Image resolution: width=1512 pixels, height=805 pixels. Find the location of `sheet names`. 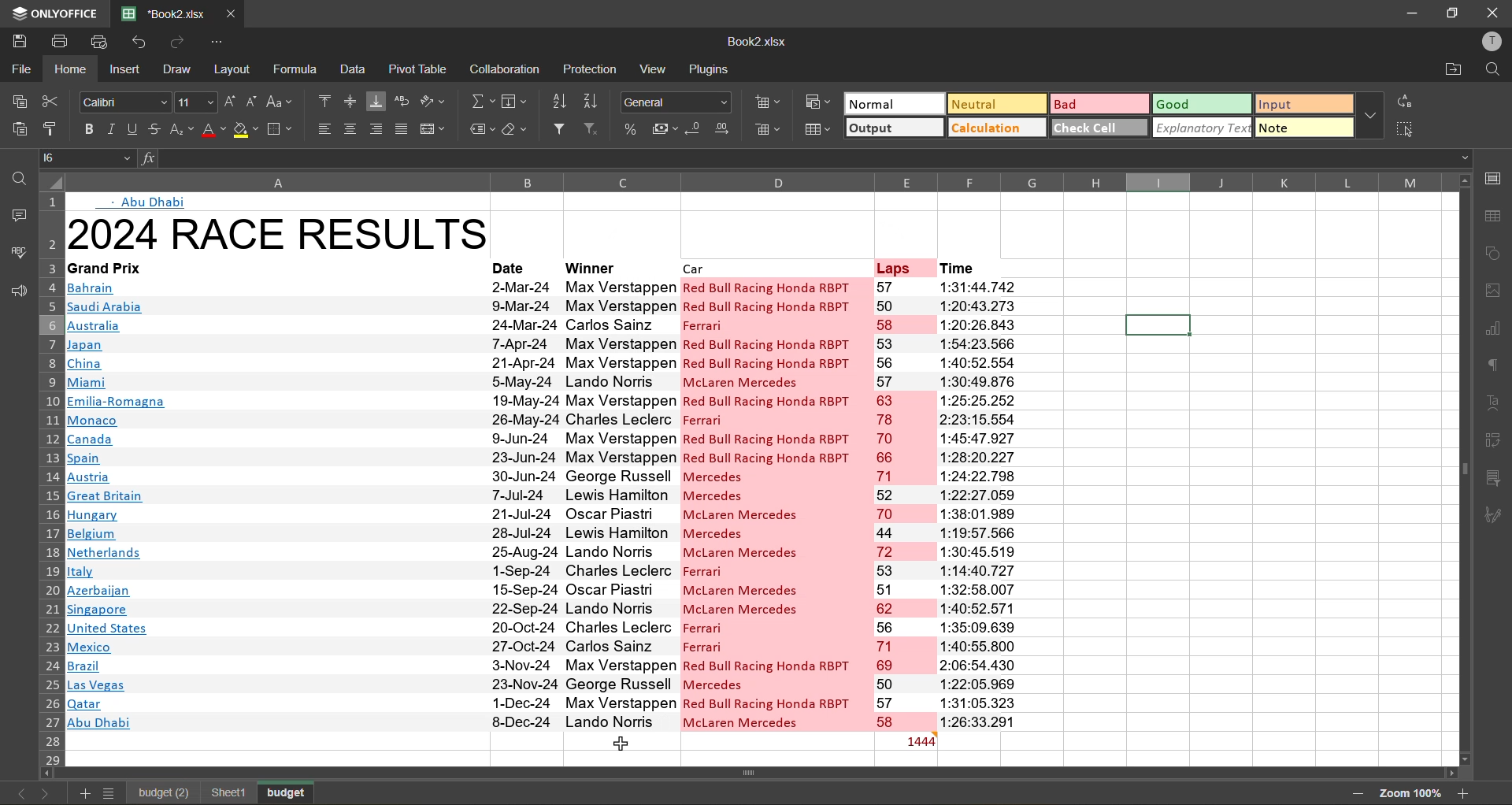

sheet names is located at coordinates (157, 791).